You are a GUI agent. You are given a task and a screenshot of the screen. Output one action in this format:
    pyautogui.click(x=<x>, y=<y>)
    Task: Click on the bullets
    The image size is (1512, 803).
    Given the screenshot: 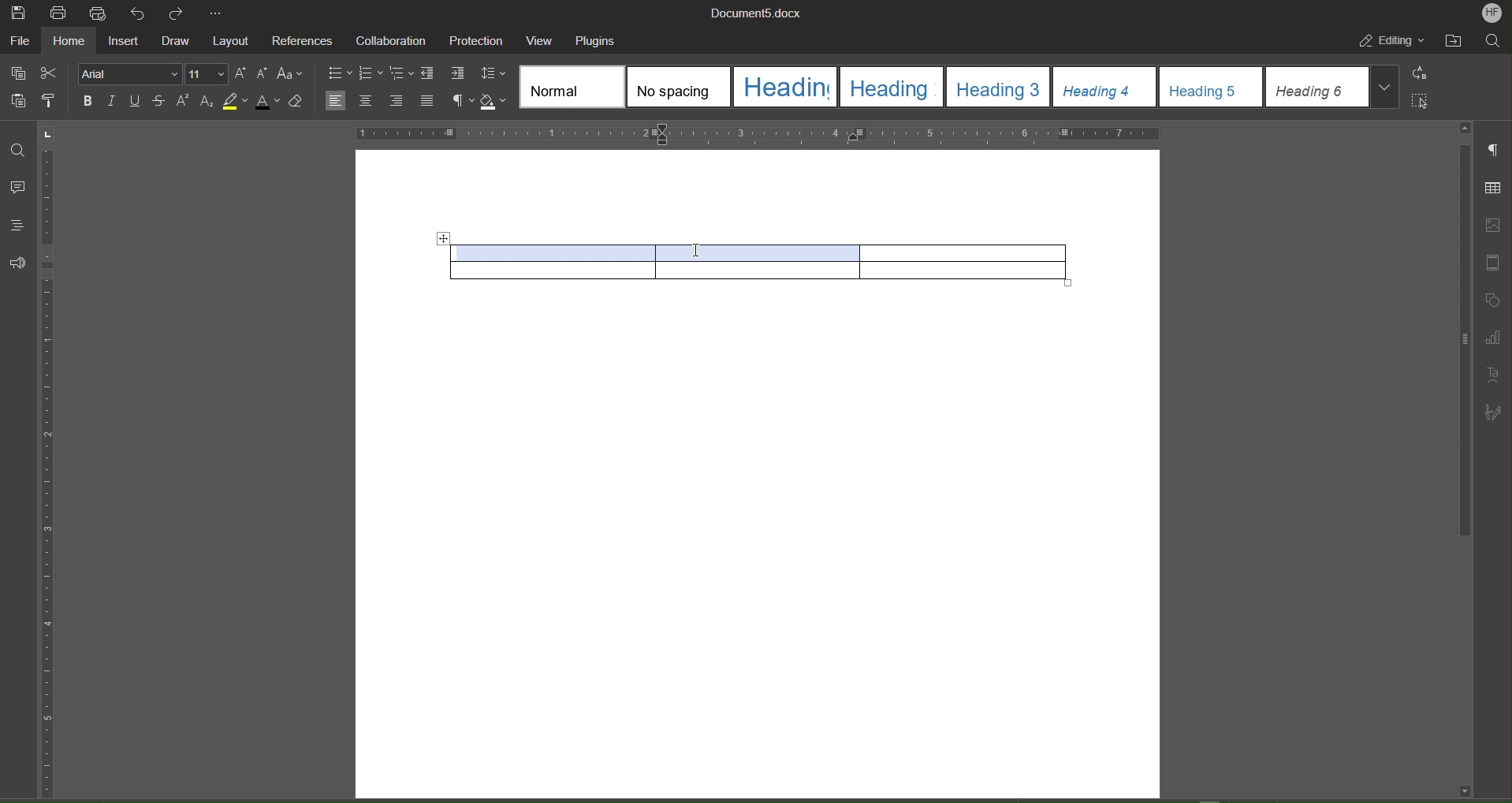 What is the action you would take?
    pyautogui.click(x=339, y=75)
    